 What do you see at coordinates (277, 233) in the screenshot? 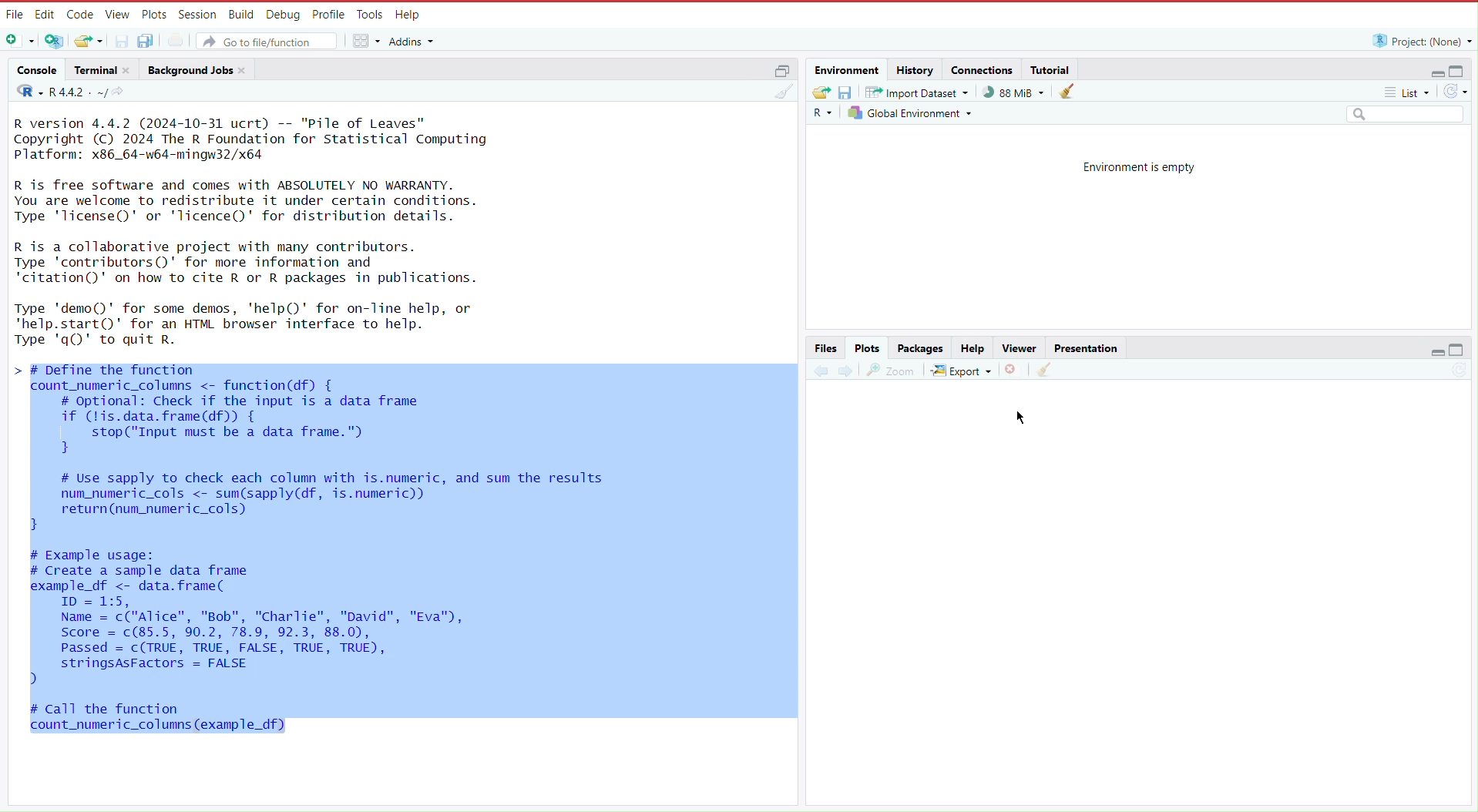
I see `R version 4.4.2 (2024-10-51 ucrt) -- "Pile of Leaves"
Copyright (C) 2024 The R Foundation for Statistical Computing
Platform: x86_64-w64-mingw32/x64

R is free software and comes with ABSOLUTELY NO WARRANTY.
You are welcome to redistribute it under certain conditions.
Type 'Ticense()' or 'licence(D' for distribution details.

R is a collaborative project with many contributors.

Type 'contributors()' for more information and

‘citation()' on how to cite R or R packages in publications.
Type 'demo()' for some demos, 'help()' for on-line help, or
'help.start()' for an HTML browser interface to help.

Type 'qQ)' to quit R.` at bounding box center [277, 233].